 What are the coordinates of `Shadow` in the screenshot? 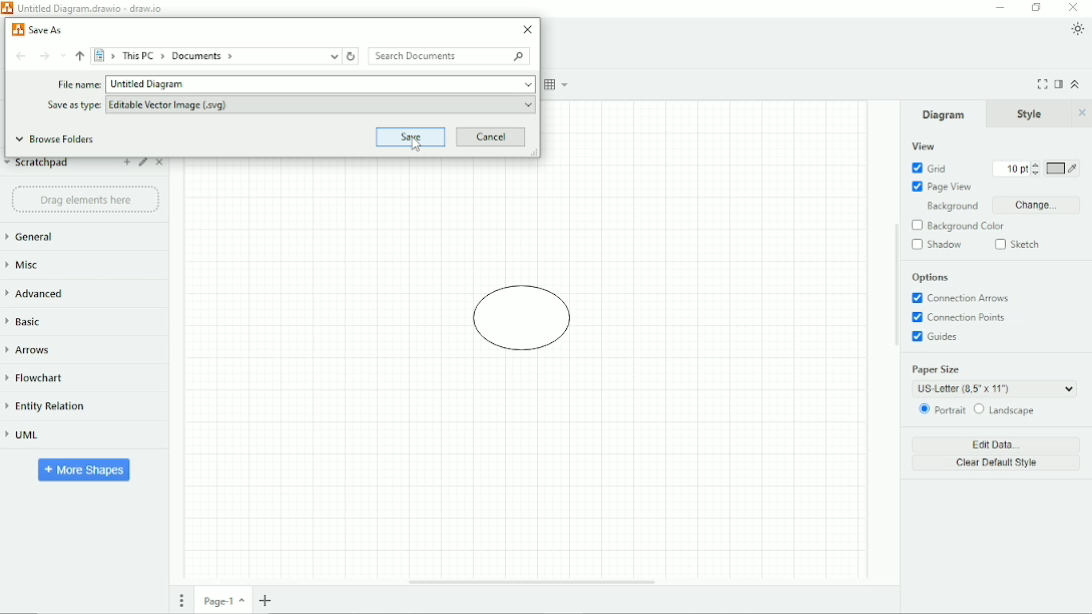 It's located at (938, 245).